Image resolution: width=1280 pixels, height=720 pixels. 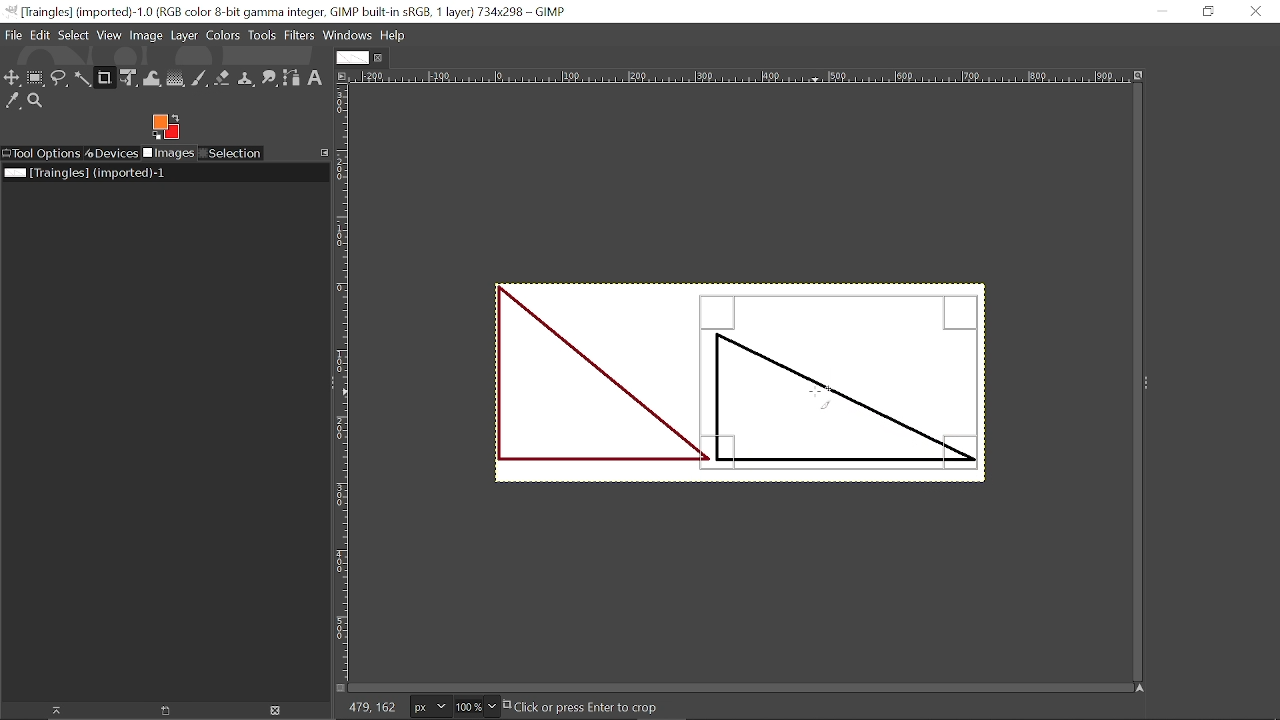 I want to click on clone tool , so click(x=245, y=79).